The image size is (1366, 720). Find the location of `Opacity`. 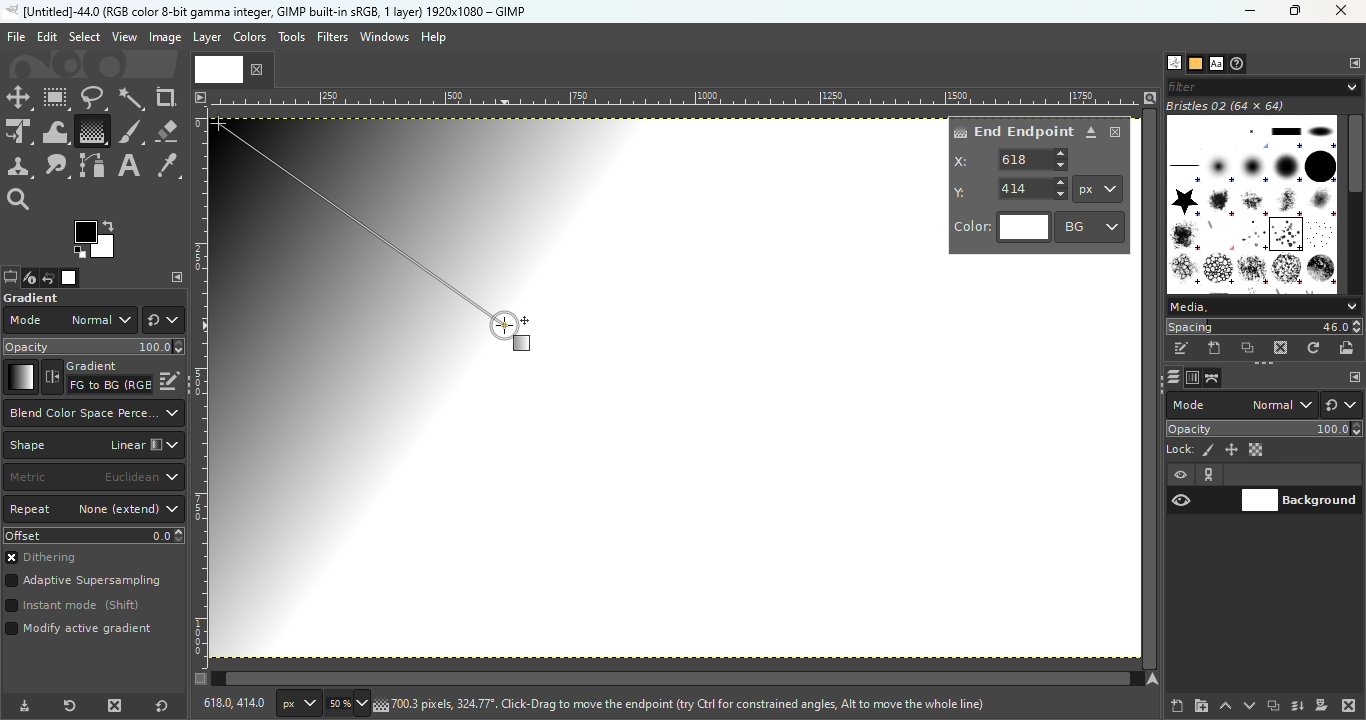

Opacity is located at coordinates (1266, 429).